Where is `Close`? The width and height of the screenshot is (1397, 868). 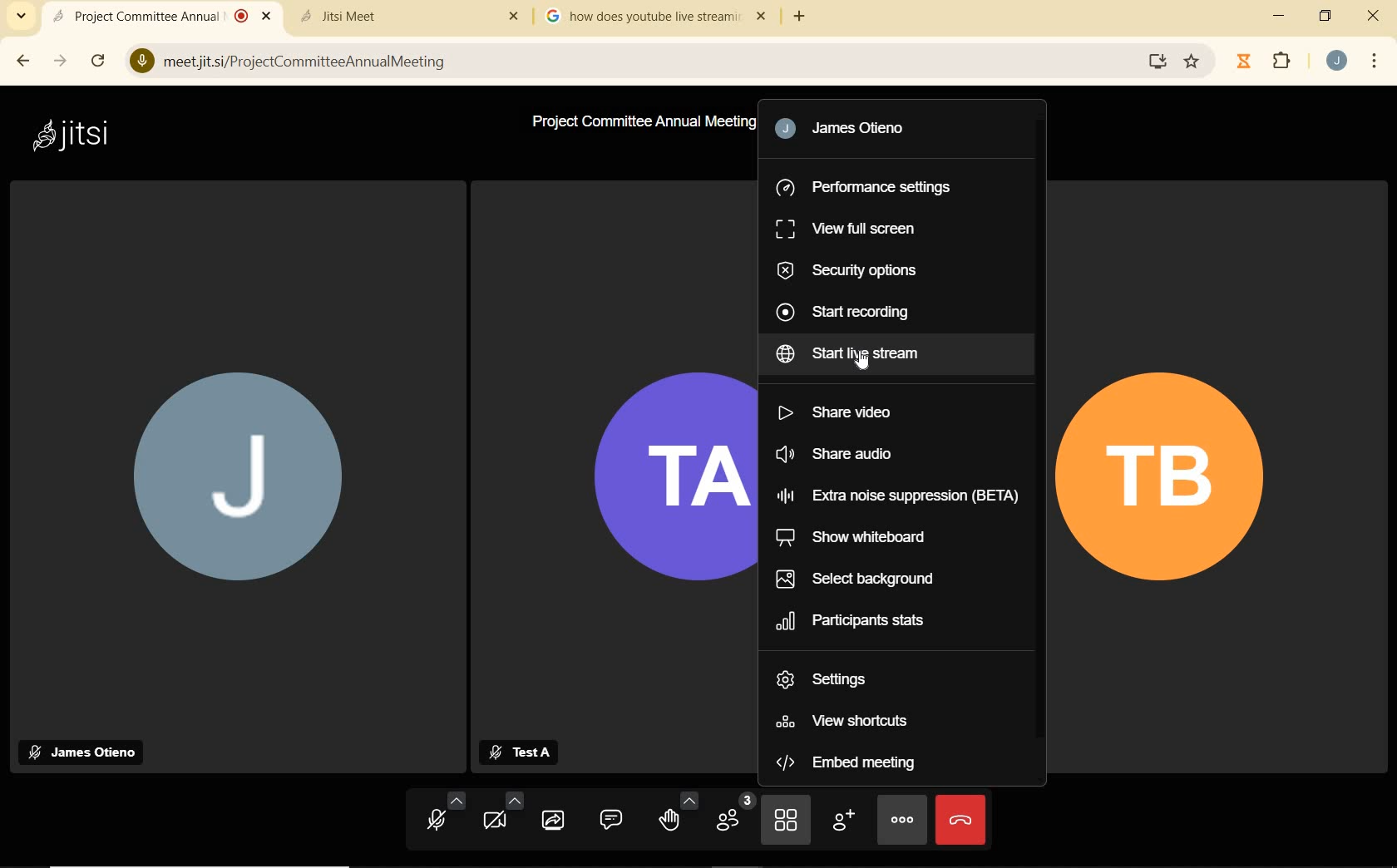 Close is located at coordinates (269, 18).